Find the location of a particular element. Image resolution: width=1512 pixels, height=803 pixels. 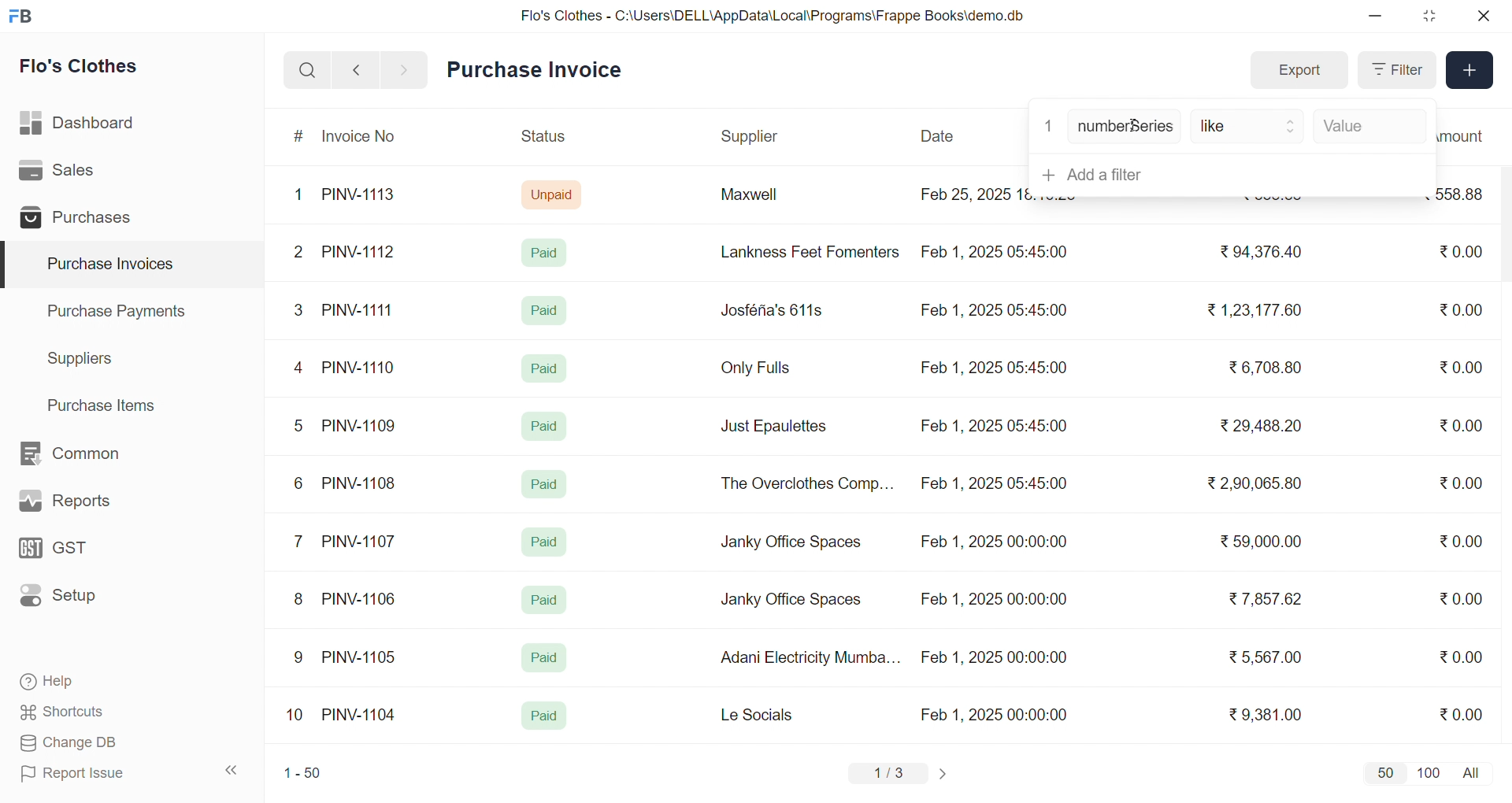

PINV-1110 is located at coordinates (360, 367).